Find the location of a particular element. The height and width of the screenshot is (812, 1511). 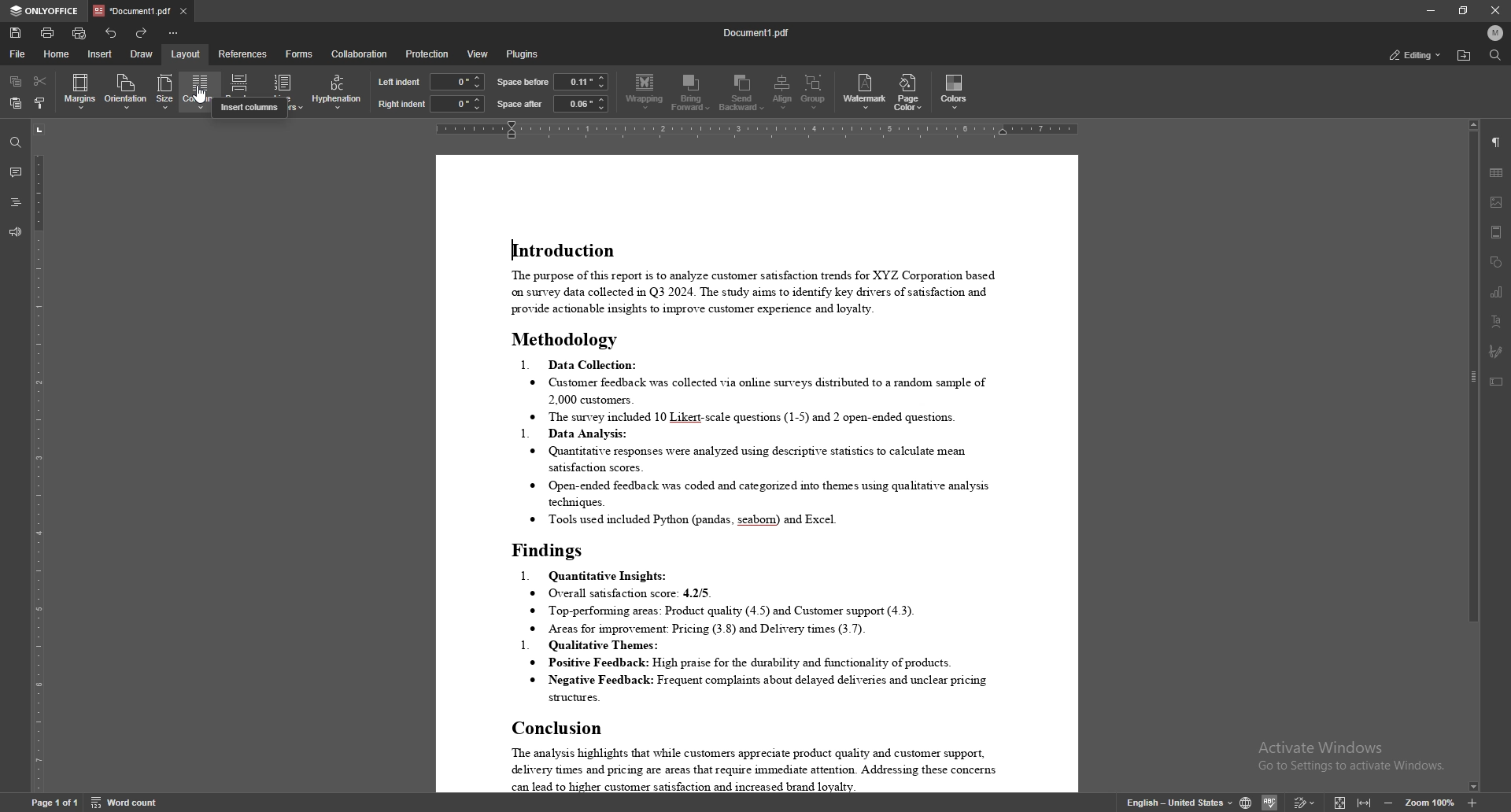

zoom is located at coordinates (1431, 801).